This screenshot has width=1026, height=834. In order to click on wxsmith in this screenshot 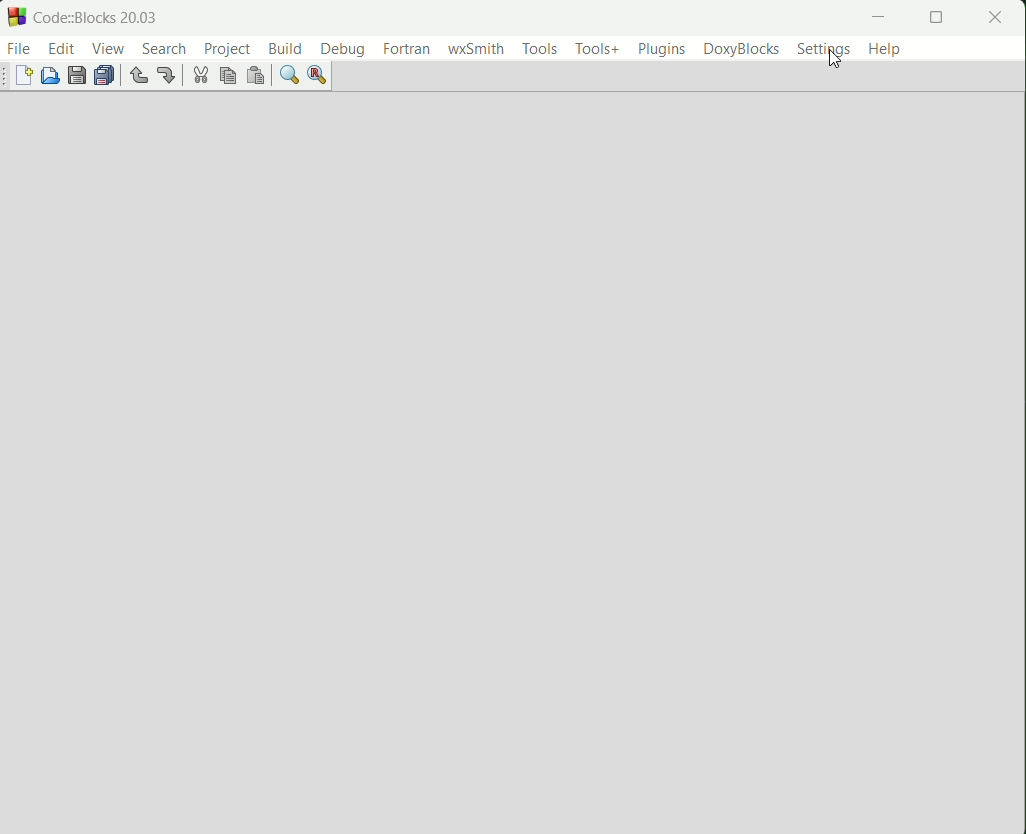, I will do `click(477, 49)`.